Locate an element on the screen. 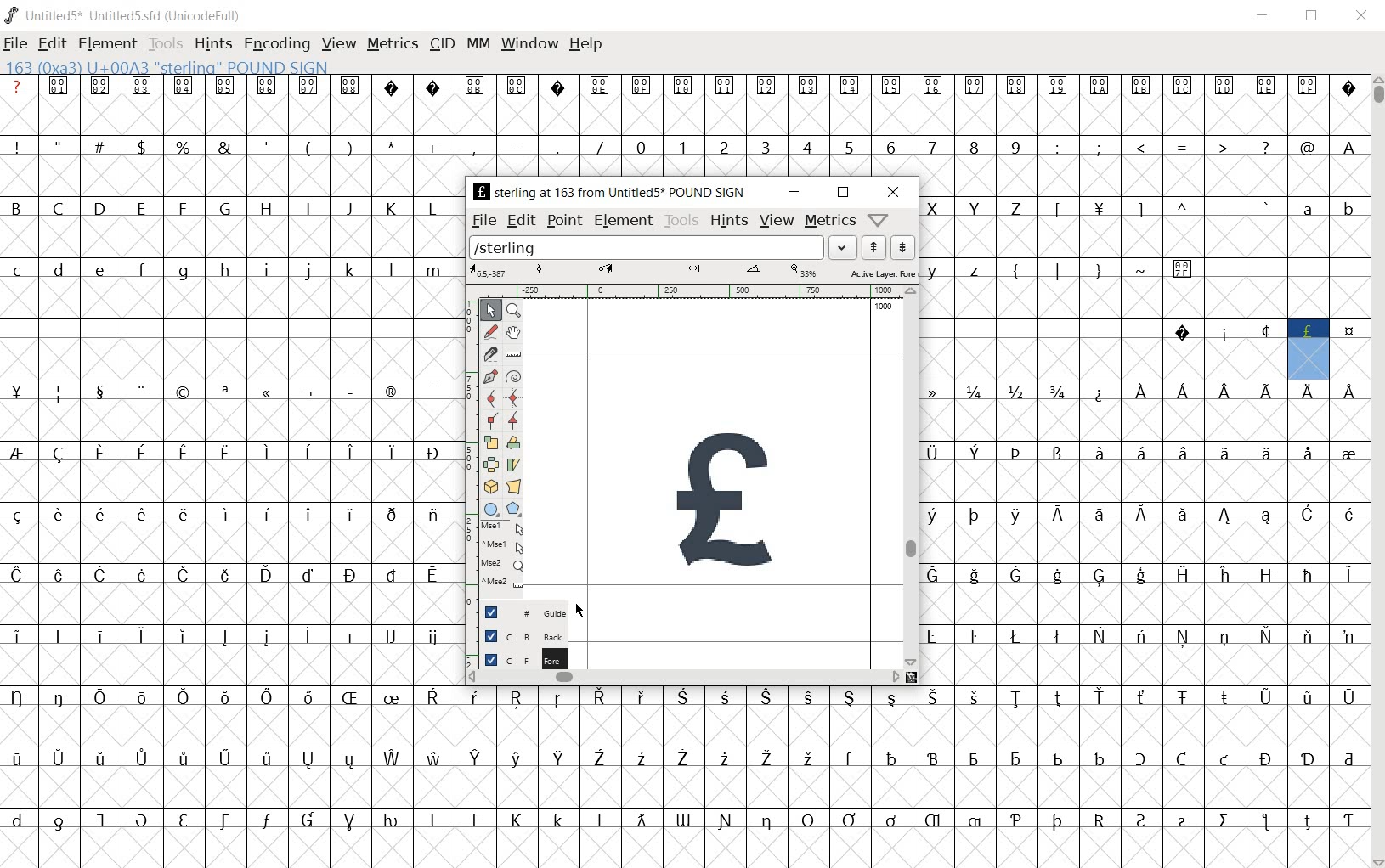 The height and width of the screenshot is (868, 1385). # is located at coordinates (104, 148).